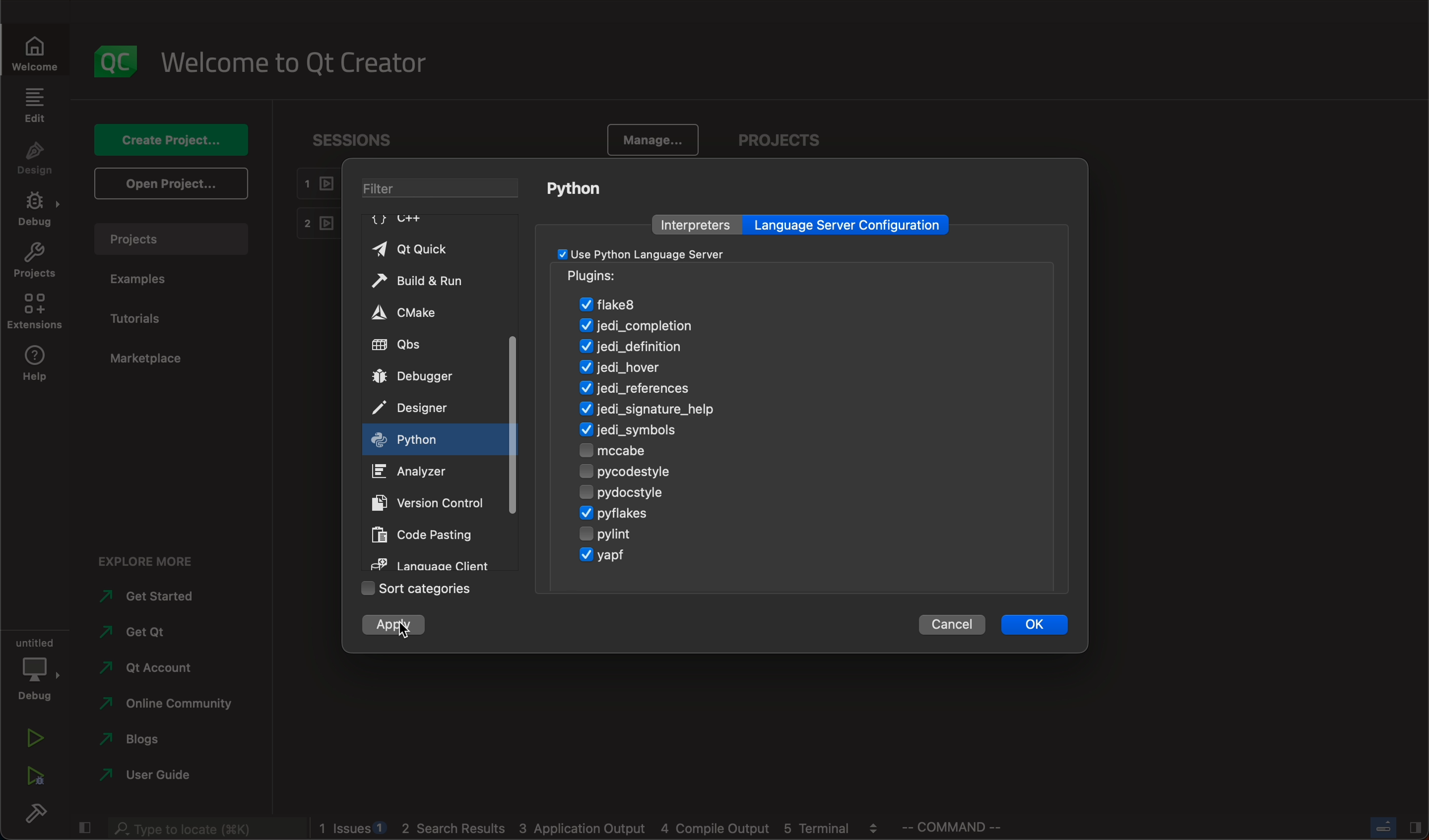 This screenshot has height=840, width=1429. Describe the element at coordinates (139, 320) in the screenshot. I see `tutorials` at that location.